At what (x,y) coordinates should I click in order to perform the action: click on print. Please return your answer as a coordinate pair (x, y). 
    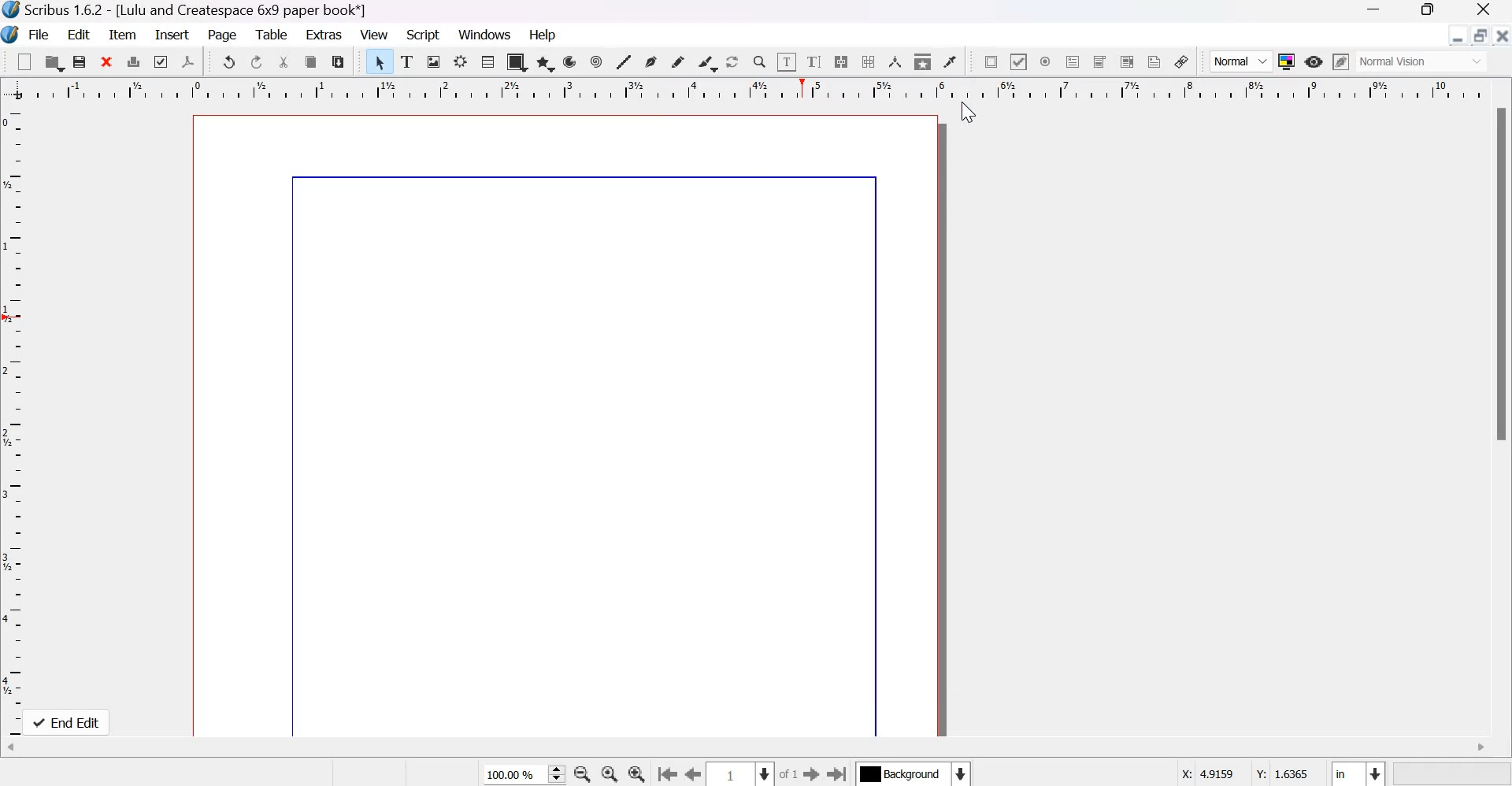
    Looking at the image, I should click on (133, 61).